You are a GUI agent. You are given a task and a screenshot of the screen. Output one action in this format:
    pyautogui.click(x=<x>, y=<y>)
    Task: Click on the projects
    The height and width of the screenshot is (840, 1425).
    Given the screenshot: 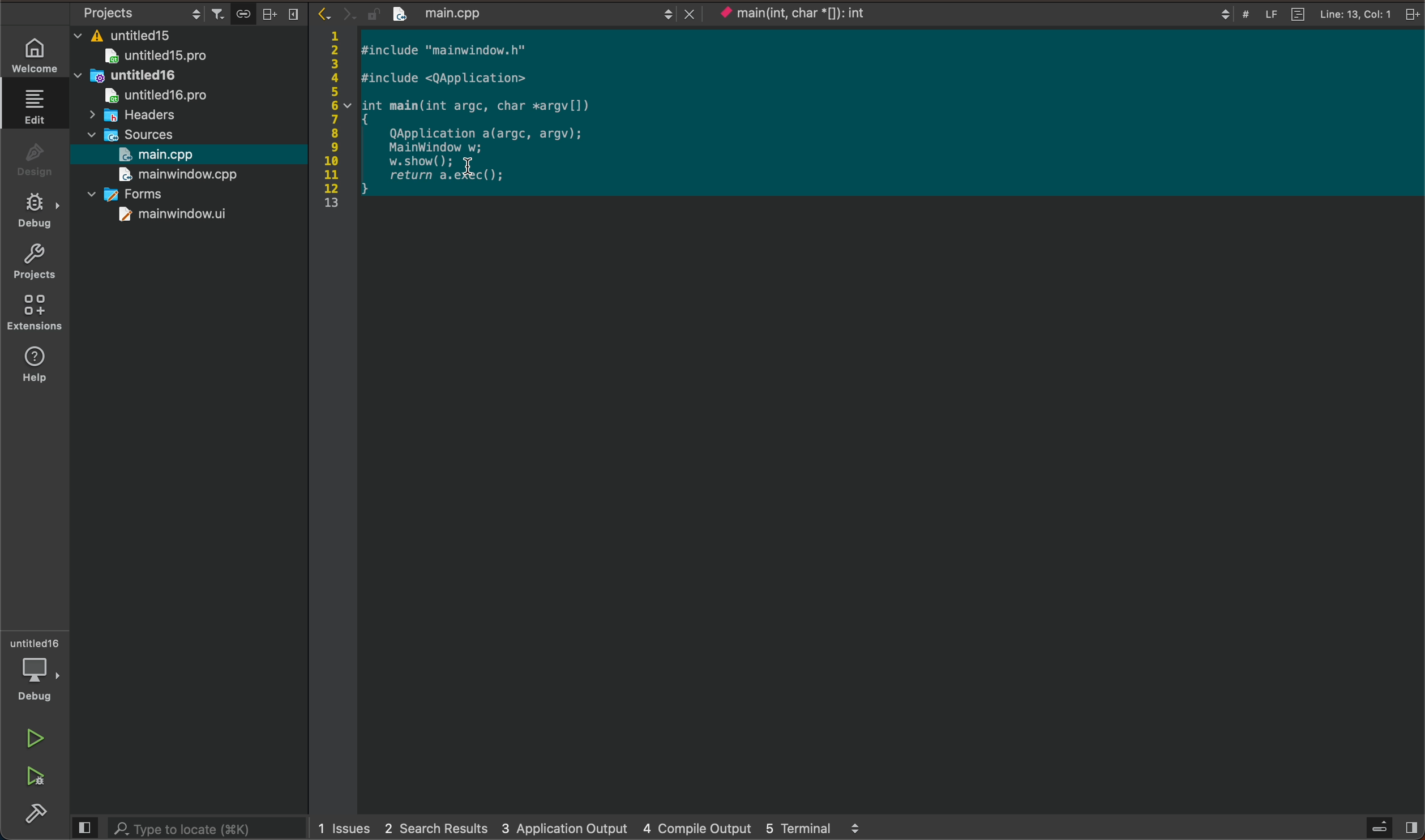 What is the action you would take?
    pyautogui.click(x=33, y=263)
    